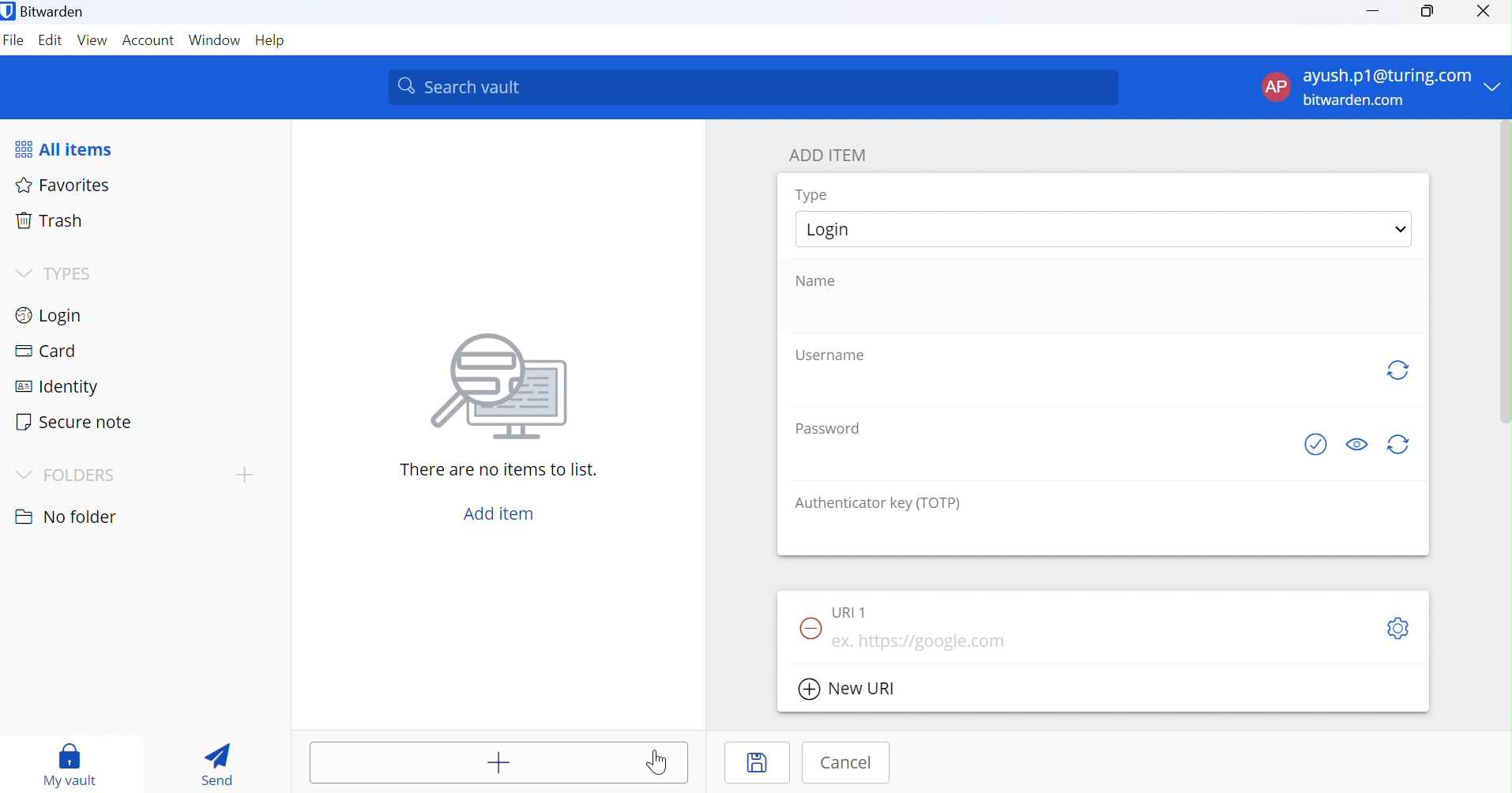  What do you see at coordinates (927, 644) in the screenshot?
I see `https://google ta` at bounding box center [927, 644].